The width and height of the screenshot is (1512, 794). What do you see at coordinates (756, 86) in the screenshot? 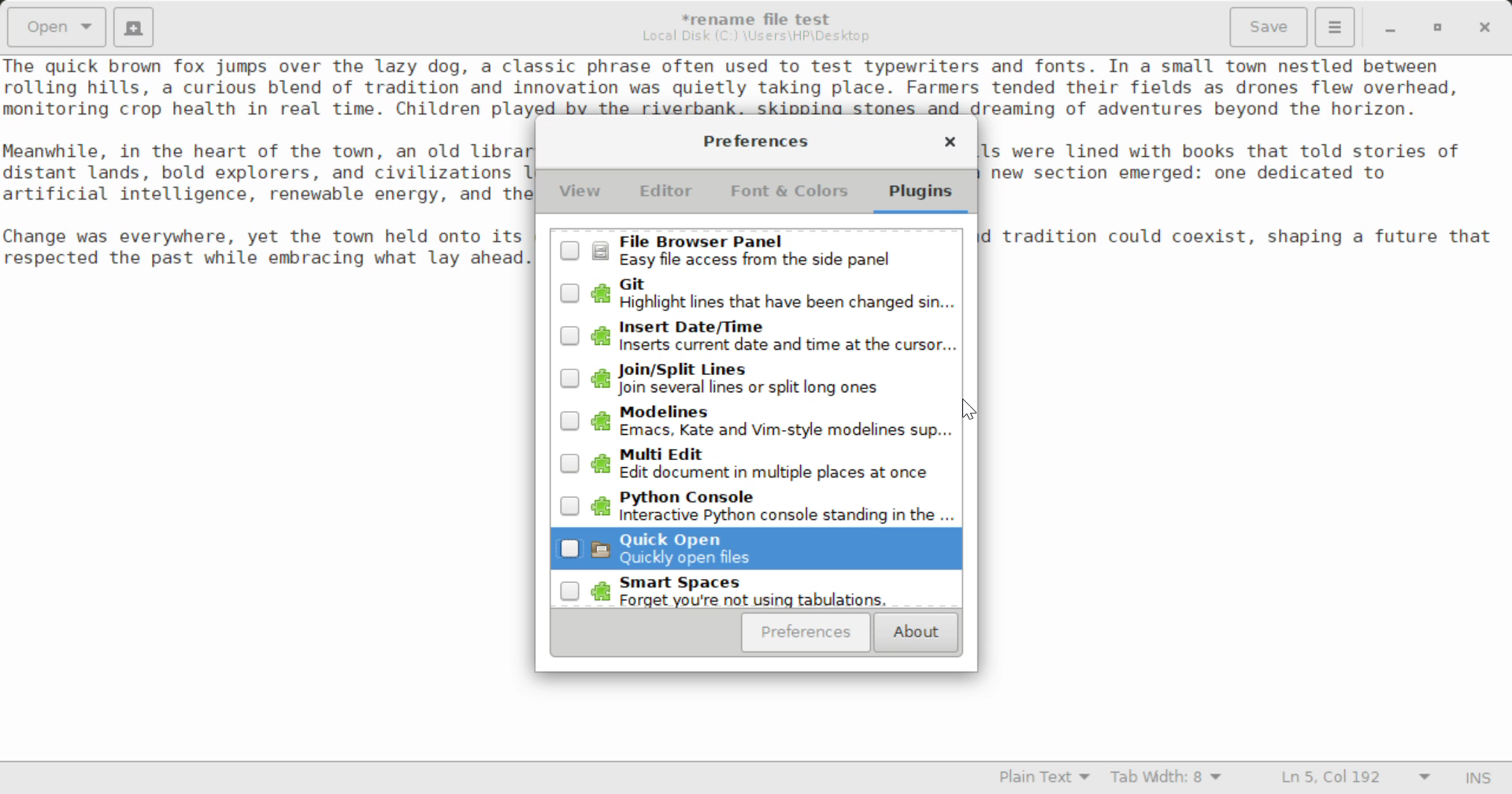
I see `Sample text about a charming town` at bounding box center [756, 86].